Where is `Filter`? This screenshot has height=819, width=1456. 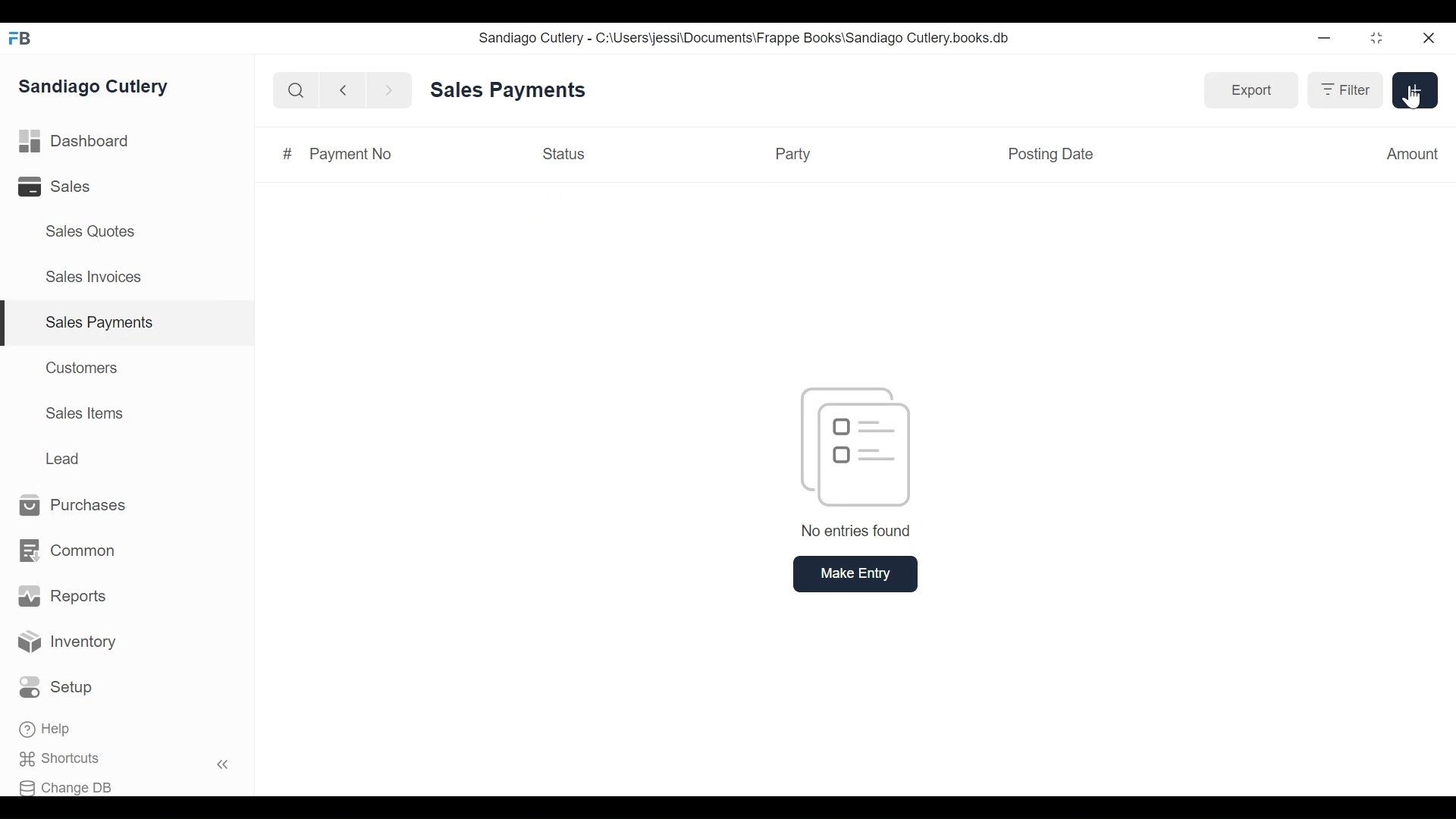 Filter is located at coordinates (1345, 90).